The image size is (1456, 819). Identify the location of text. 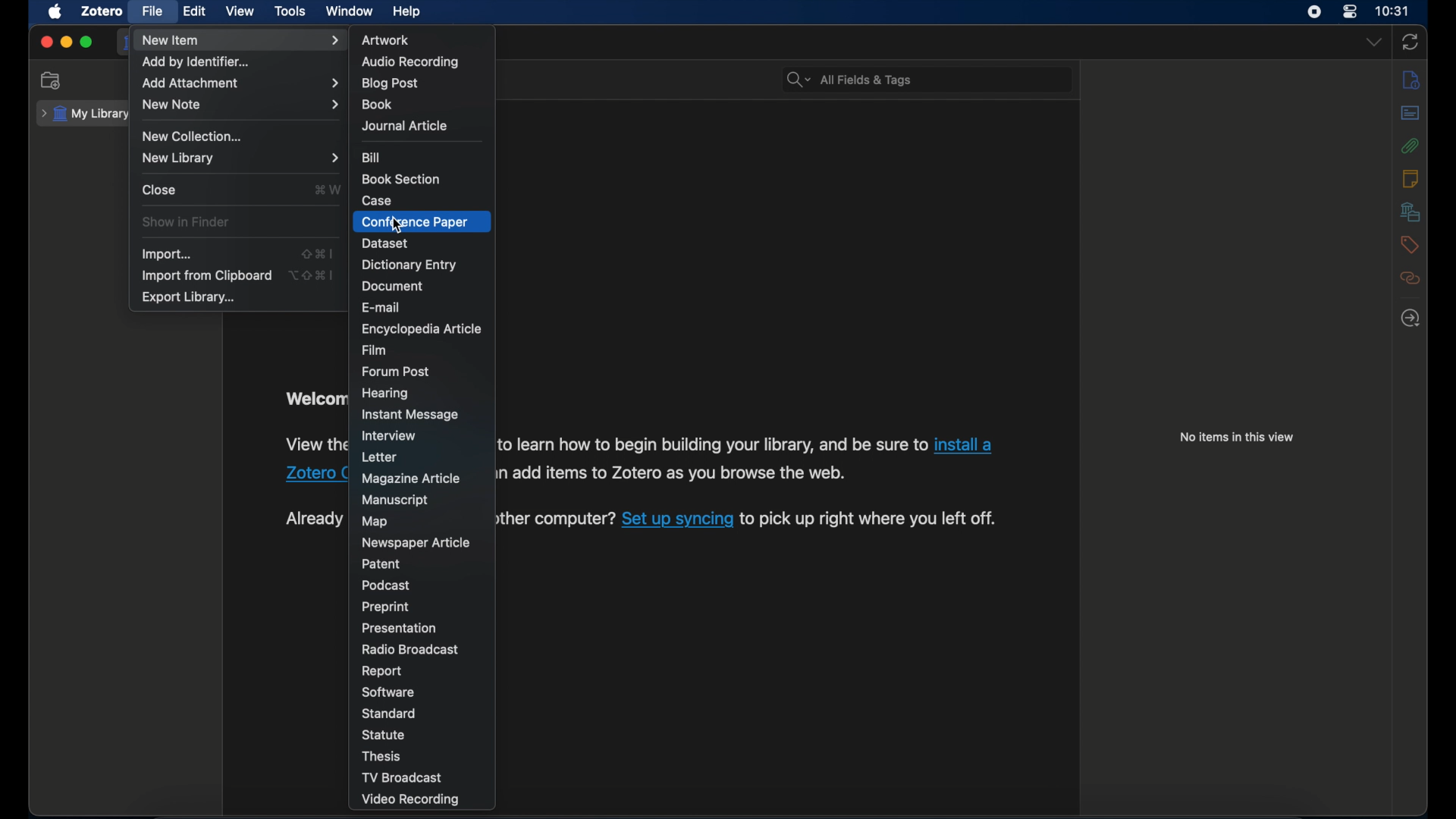
(676, 475).